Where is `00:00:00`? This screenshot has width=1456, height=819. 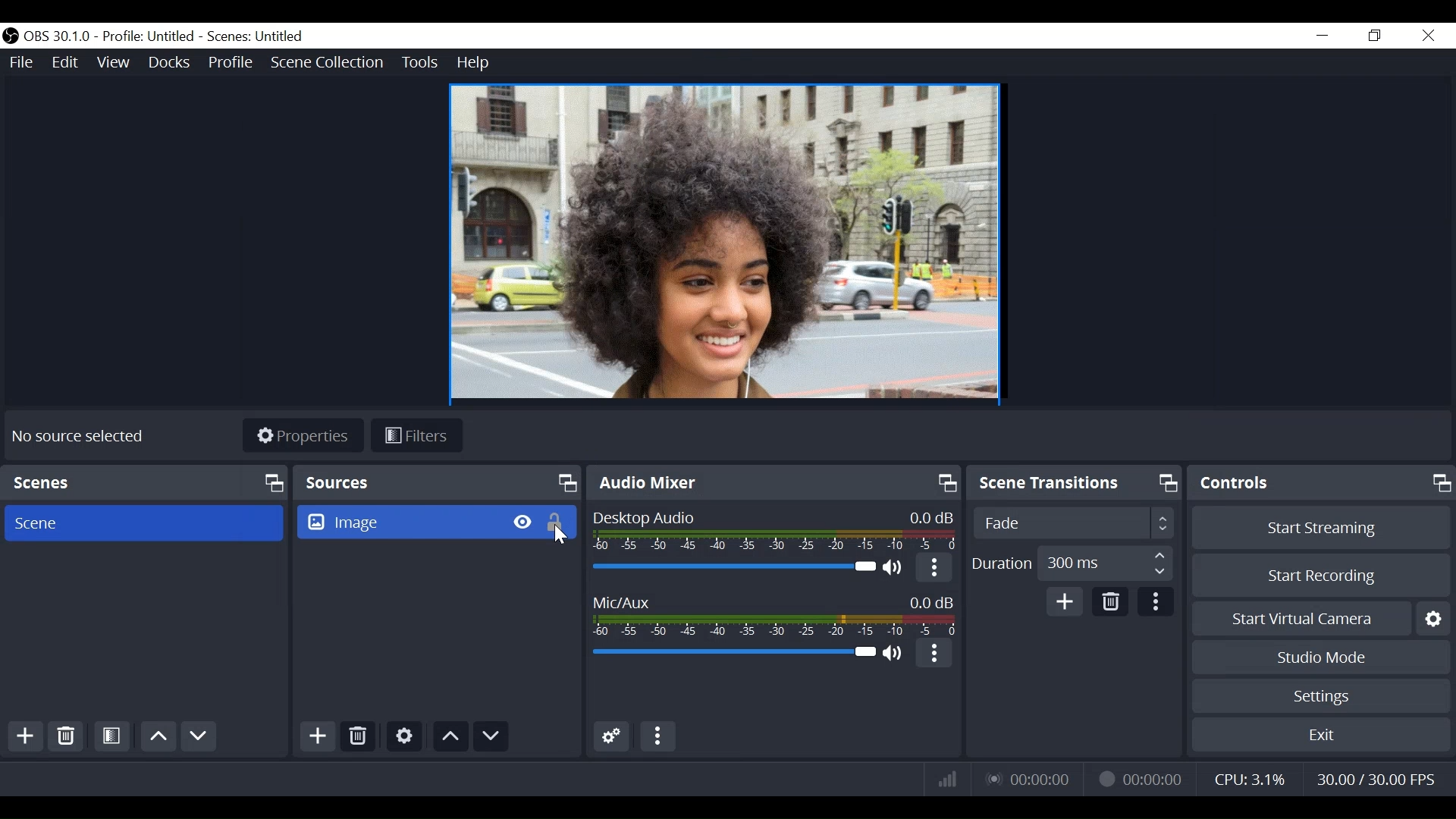
00:00:00 is located at coordinates (1141, 779).